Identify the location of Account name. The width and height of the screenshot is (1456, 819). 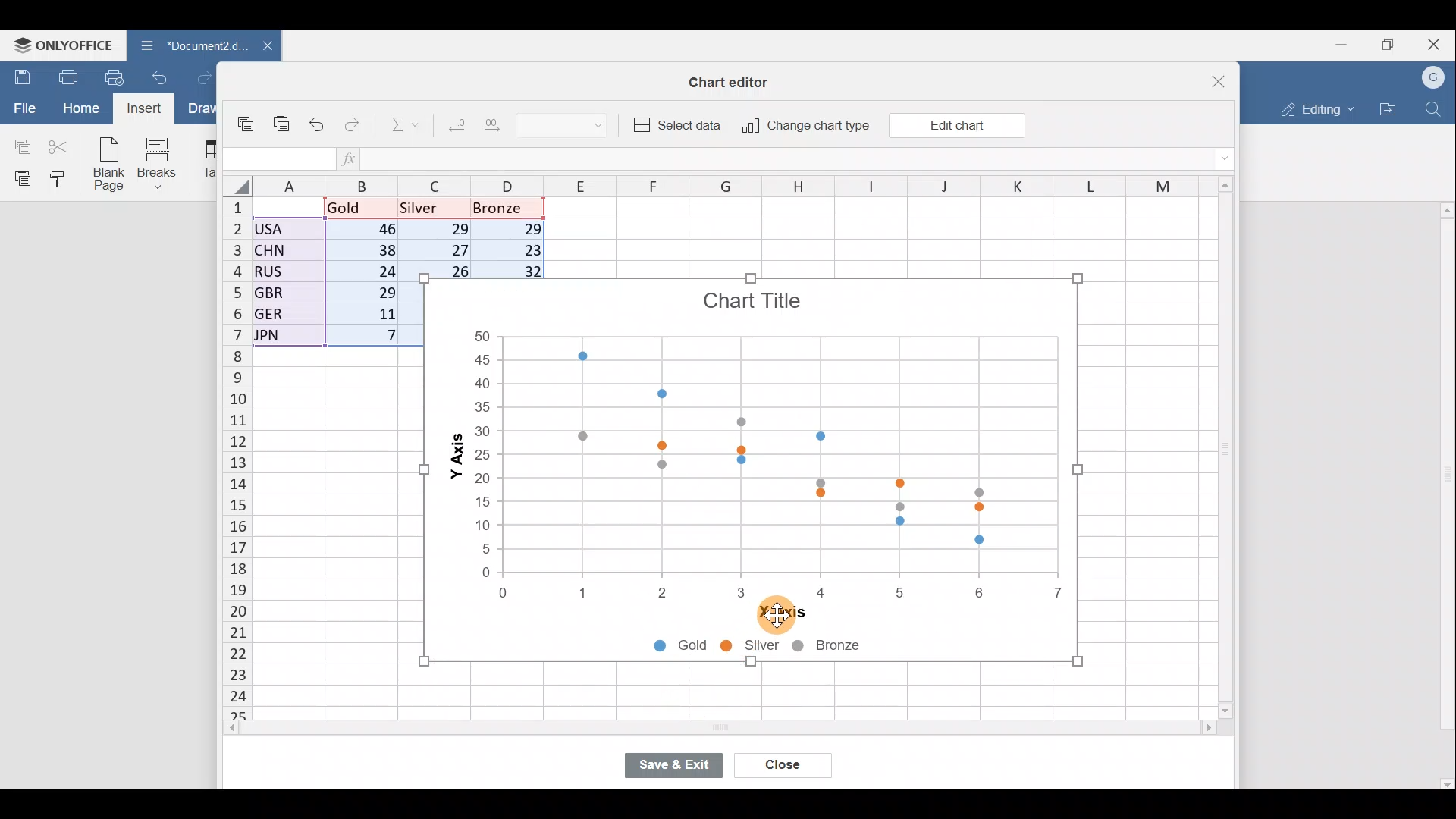
(1435, 76).